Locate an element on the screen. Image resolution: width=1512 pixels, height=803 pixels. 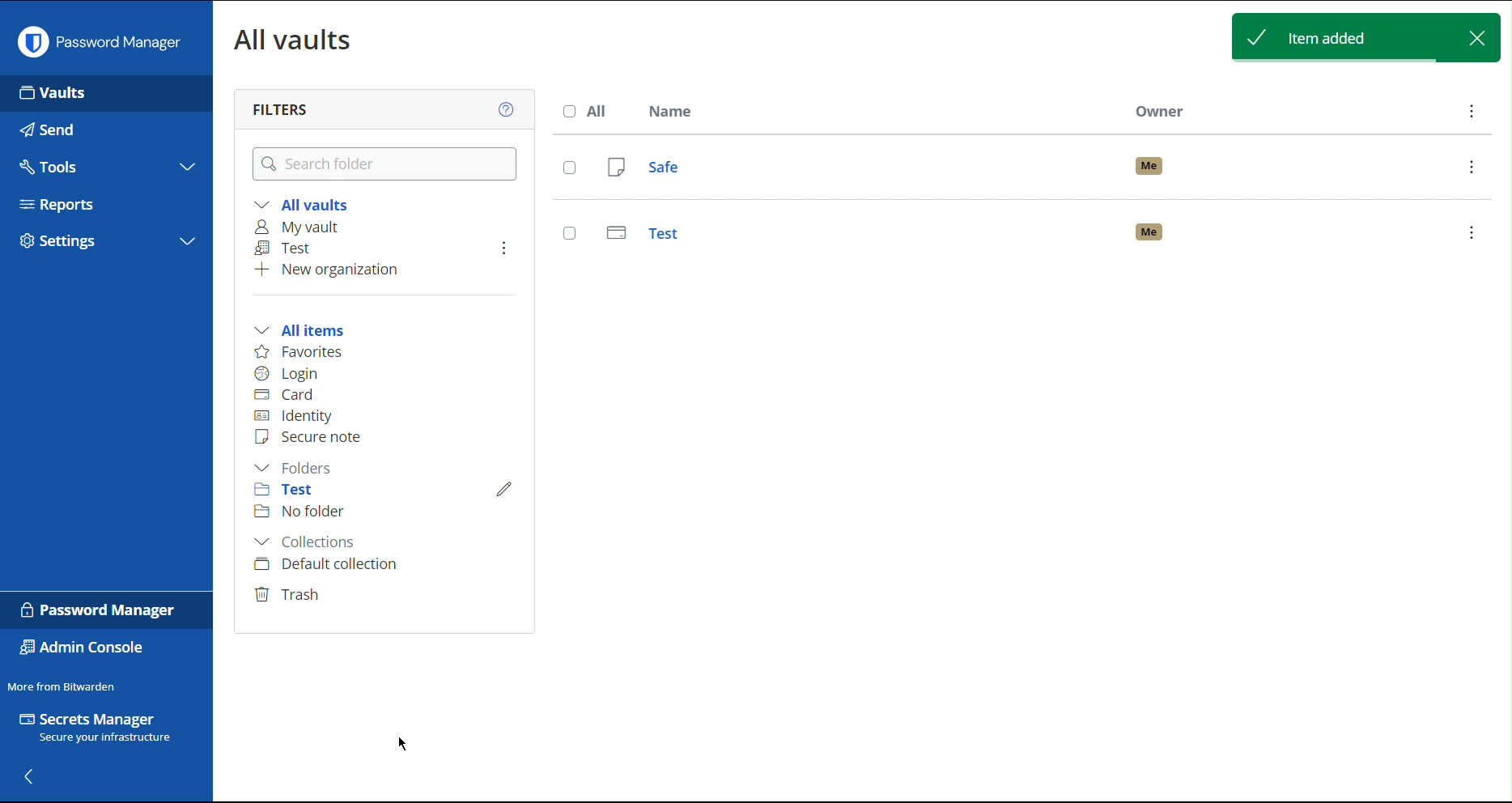
More from Bitwarden is located at coordinates (64, 683).